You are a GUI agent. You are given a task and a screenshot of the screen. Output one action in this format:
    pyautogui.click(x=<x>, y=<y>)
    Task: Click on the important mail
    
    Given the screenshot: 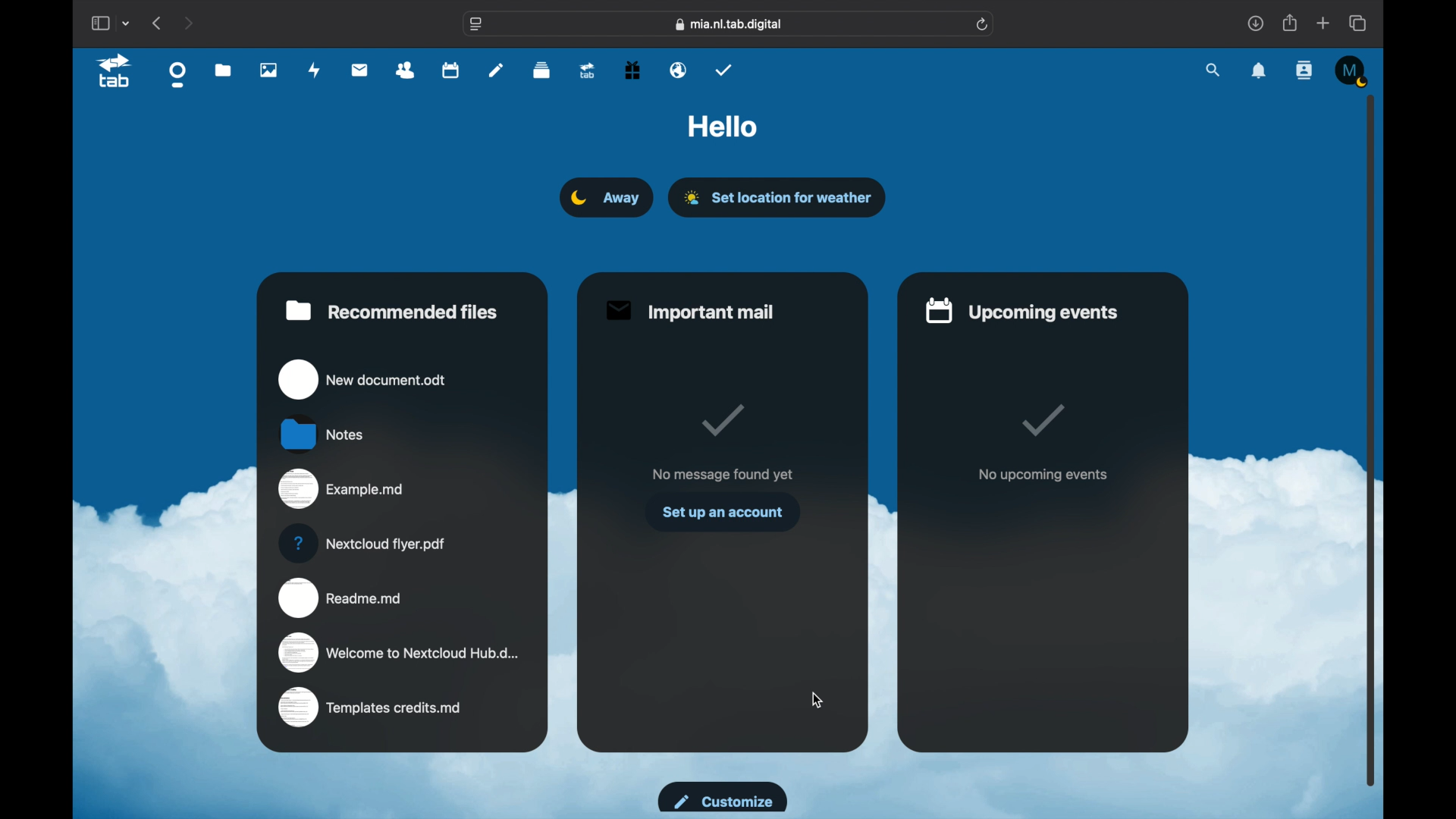 What is the action you would take?
    pyautogui.click(x=688, y=312)
    